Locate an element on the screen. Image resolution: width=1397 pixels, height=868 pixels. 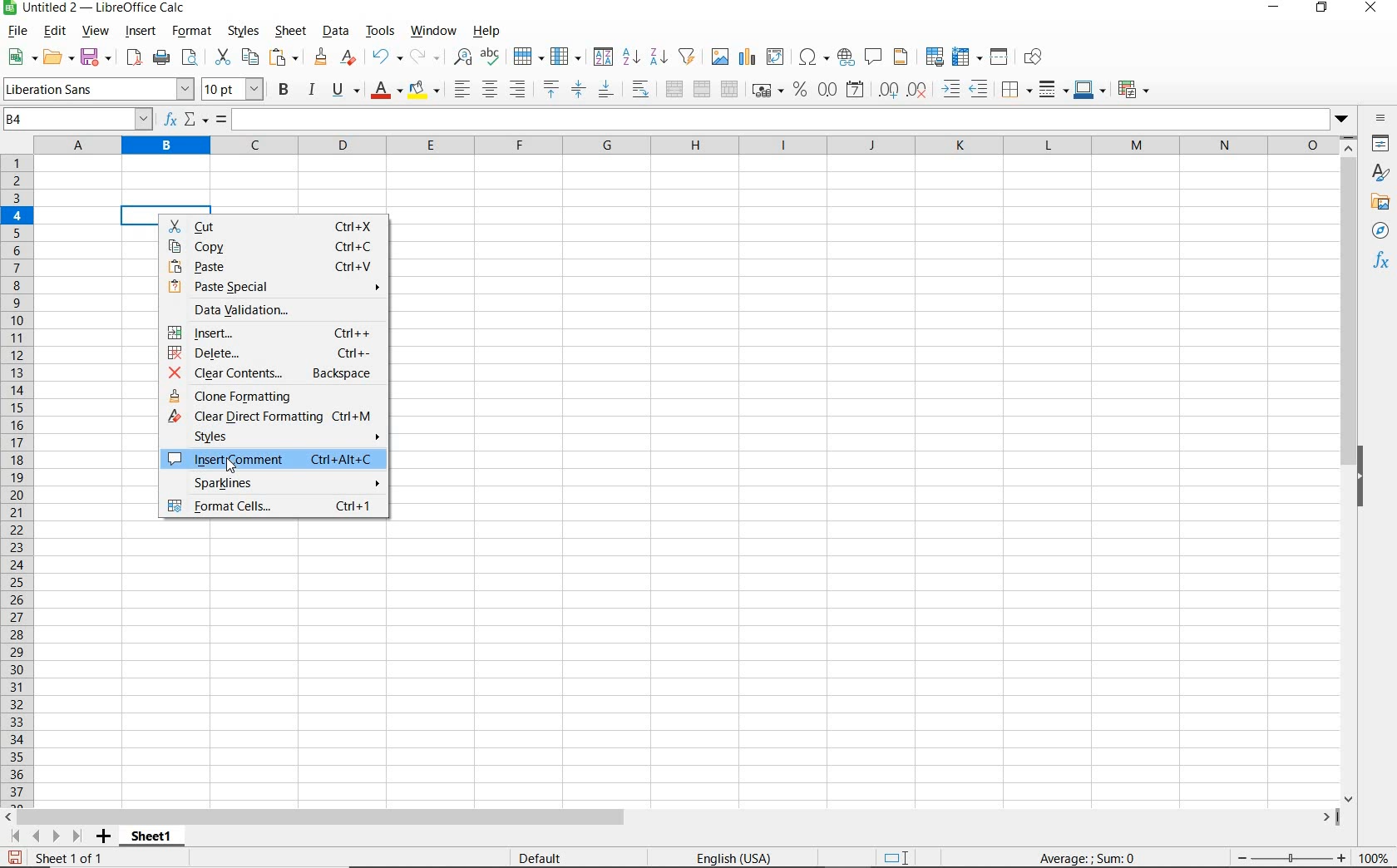
paste special is located at coordinates (274, 288).